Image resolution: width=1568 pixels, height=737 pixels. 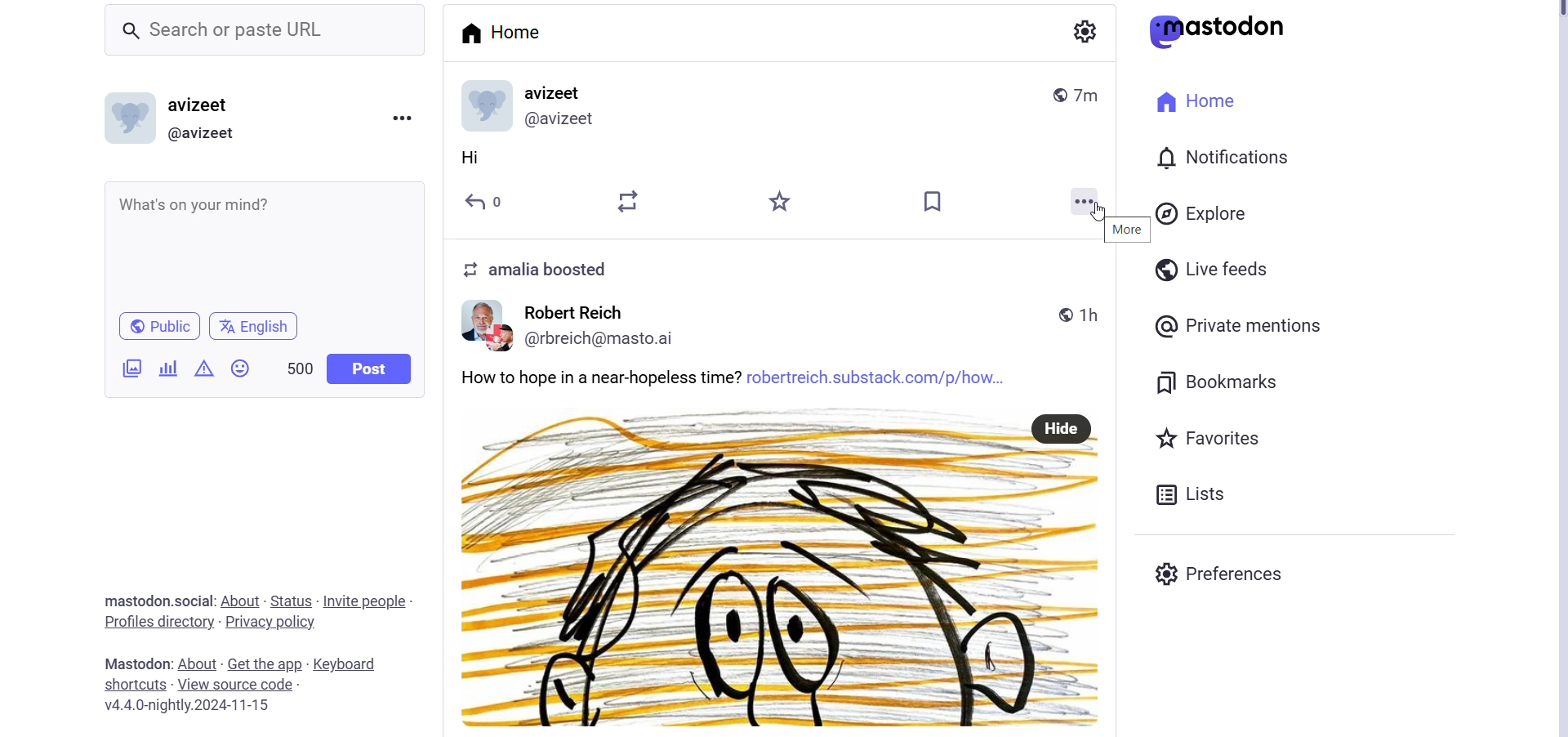 What do you see at coordinates (537, 105) in the screenshot?
I see `User Details and Profile Picture` at bounding box center [537, 105].